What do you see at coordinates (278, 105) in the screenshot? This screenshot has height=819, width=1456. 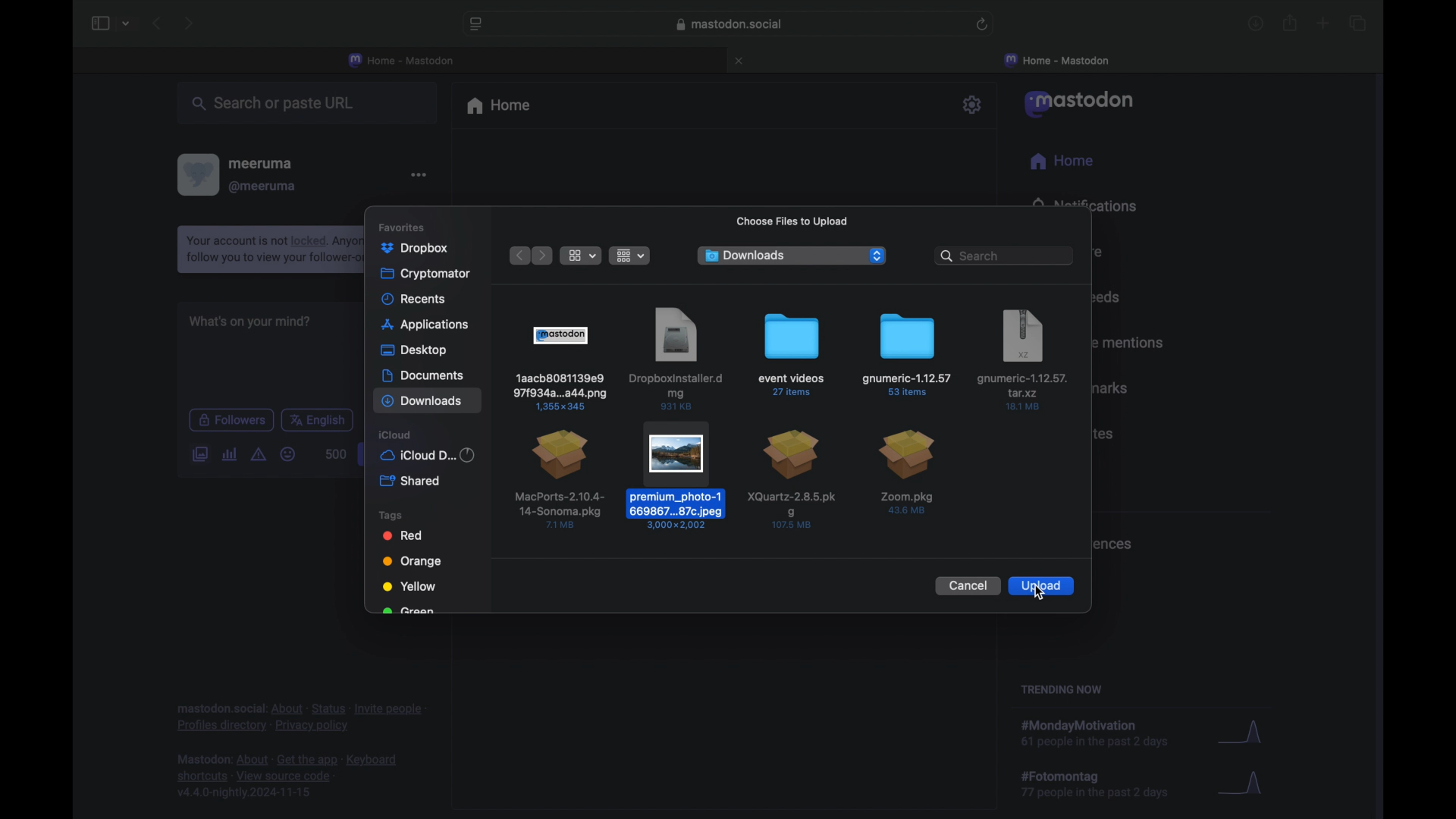 I see `search or paste url` at bounding box center [278, 105].